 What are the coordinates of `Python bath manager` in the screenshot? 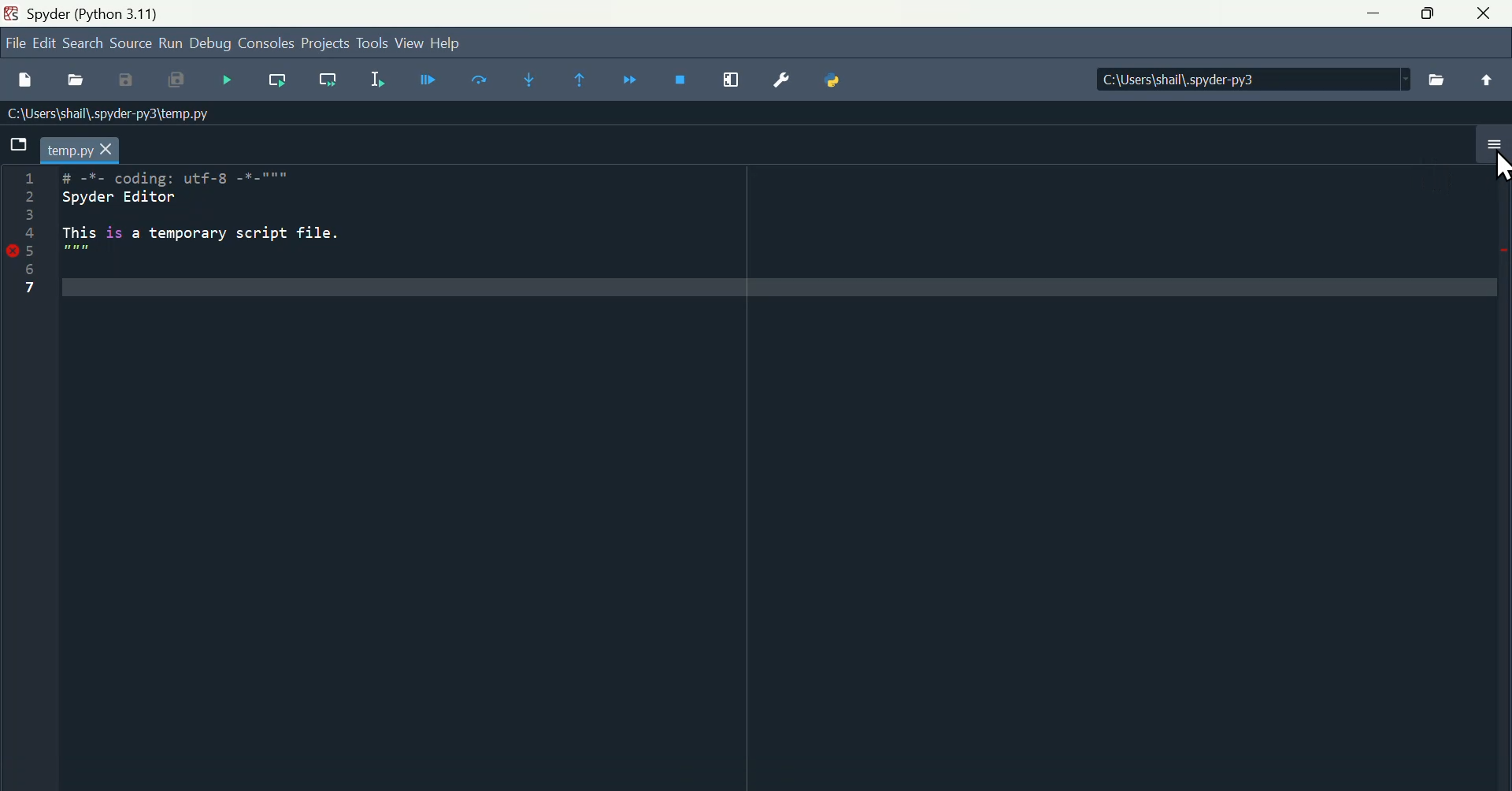 It's located at (836, 84).